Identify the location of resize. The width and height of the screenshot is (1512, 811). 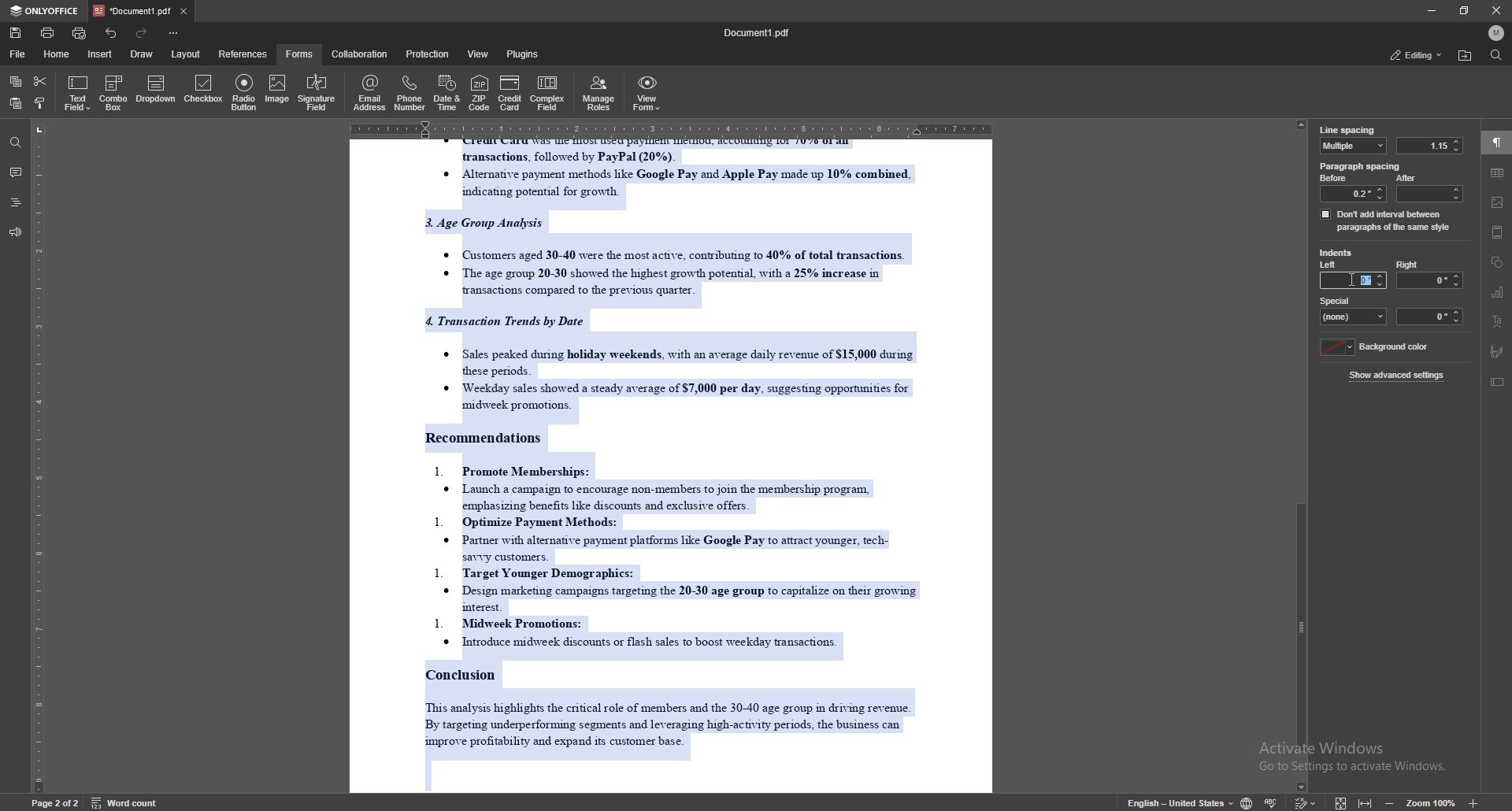
(1465, 10).